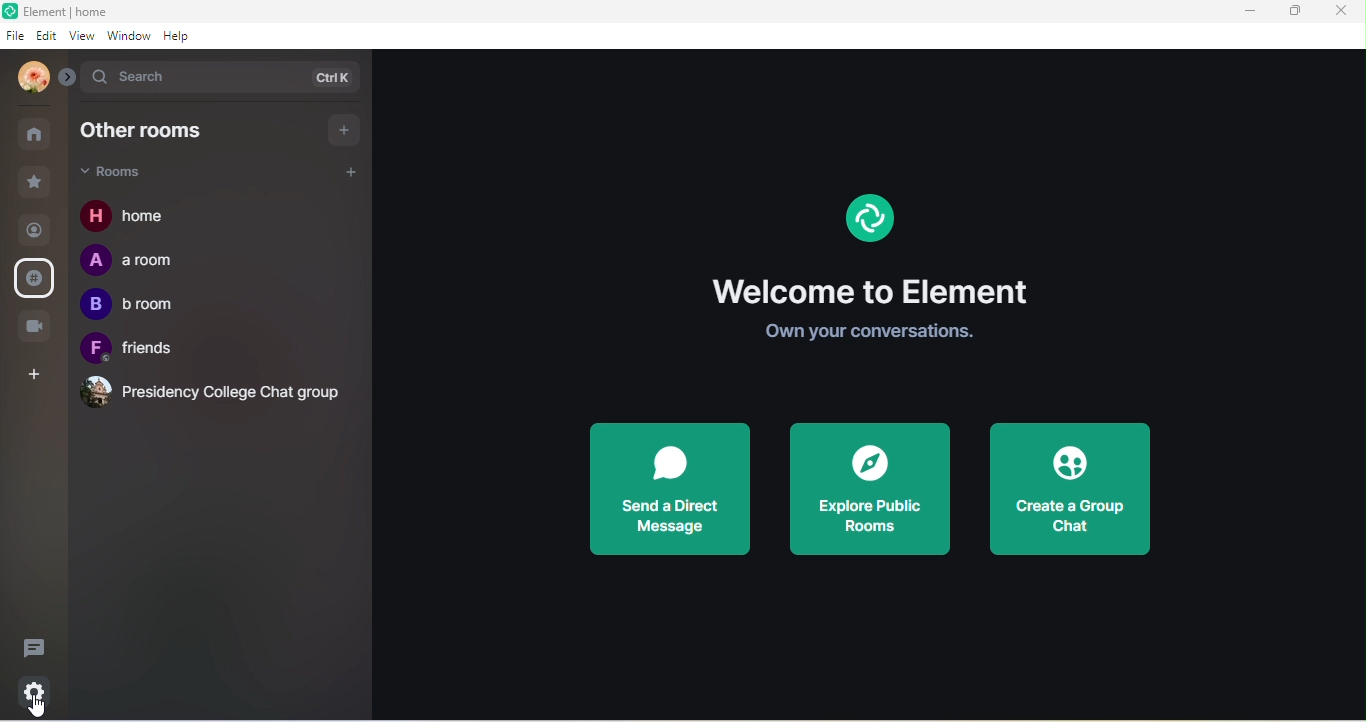  Describe the element at coordinates (27, 78) in the screenshot. I see `profile photo` at that location.